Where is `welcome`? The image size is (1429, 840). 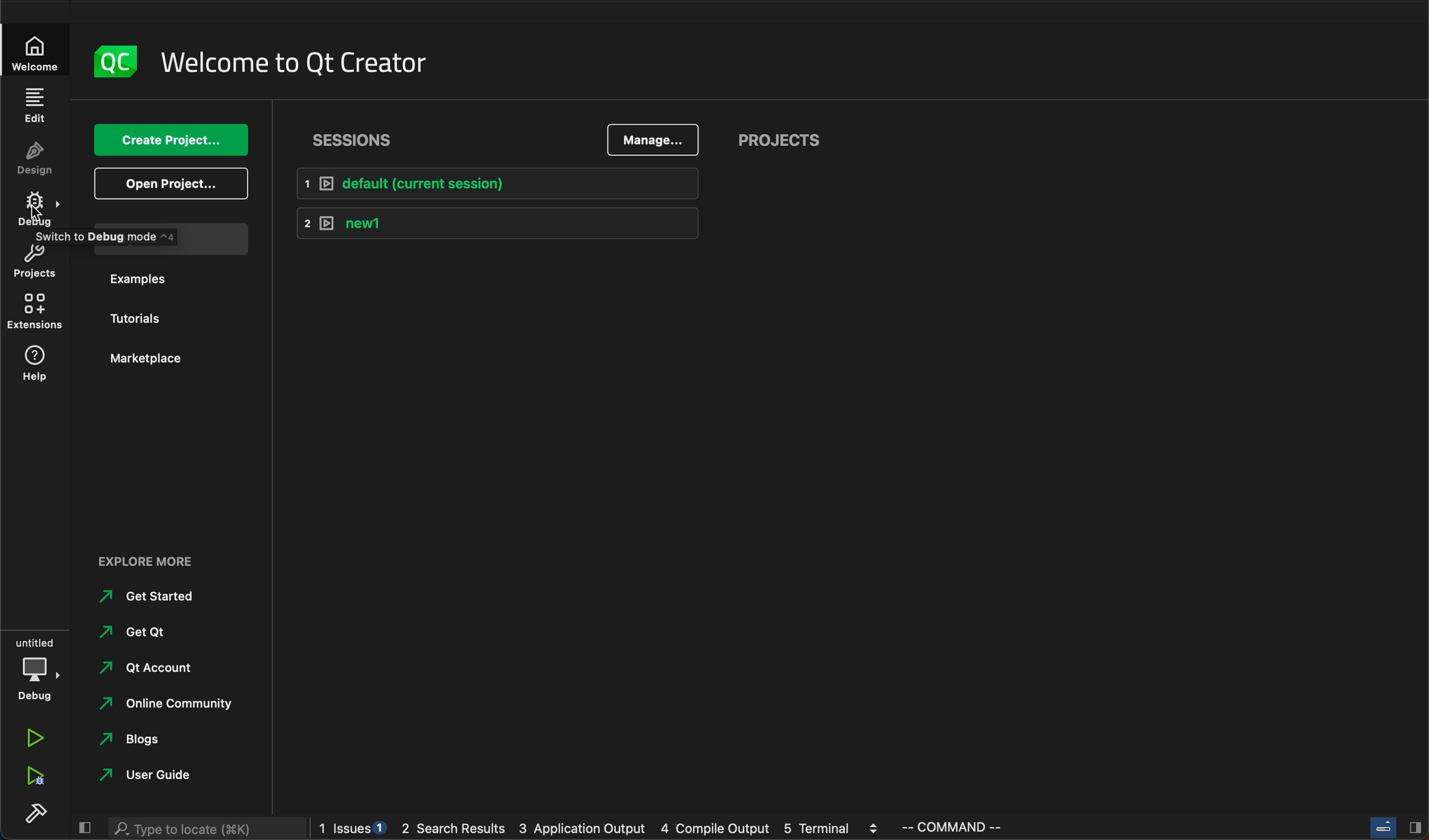 welcome is located at coordinates (38, 49).